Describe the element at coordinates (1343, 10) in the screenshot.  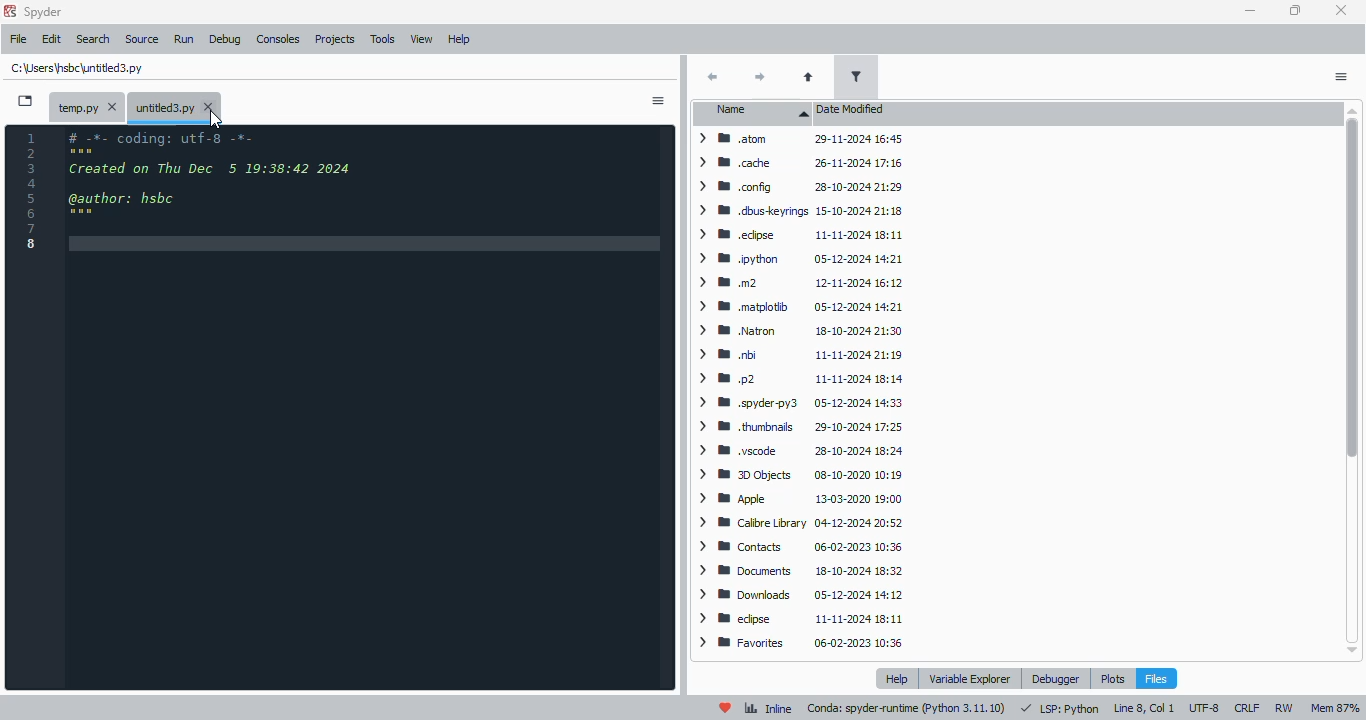
I see `close` at that location.